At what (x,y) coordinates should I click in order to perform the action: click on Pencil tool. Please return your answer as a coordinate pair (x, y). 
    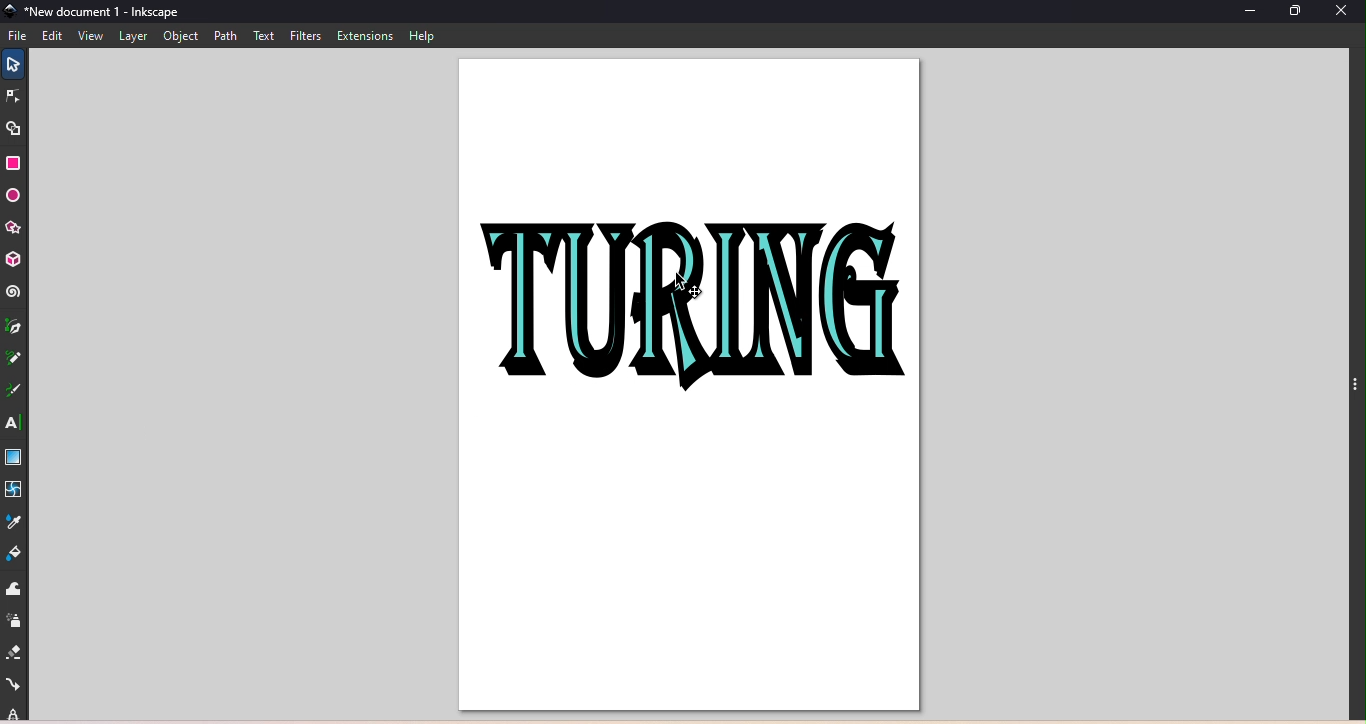
    Looking at the image, I should click on (14, 363).